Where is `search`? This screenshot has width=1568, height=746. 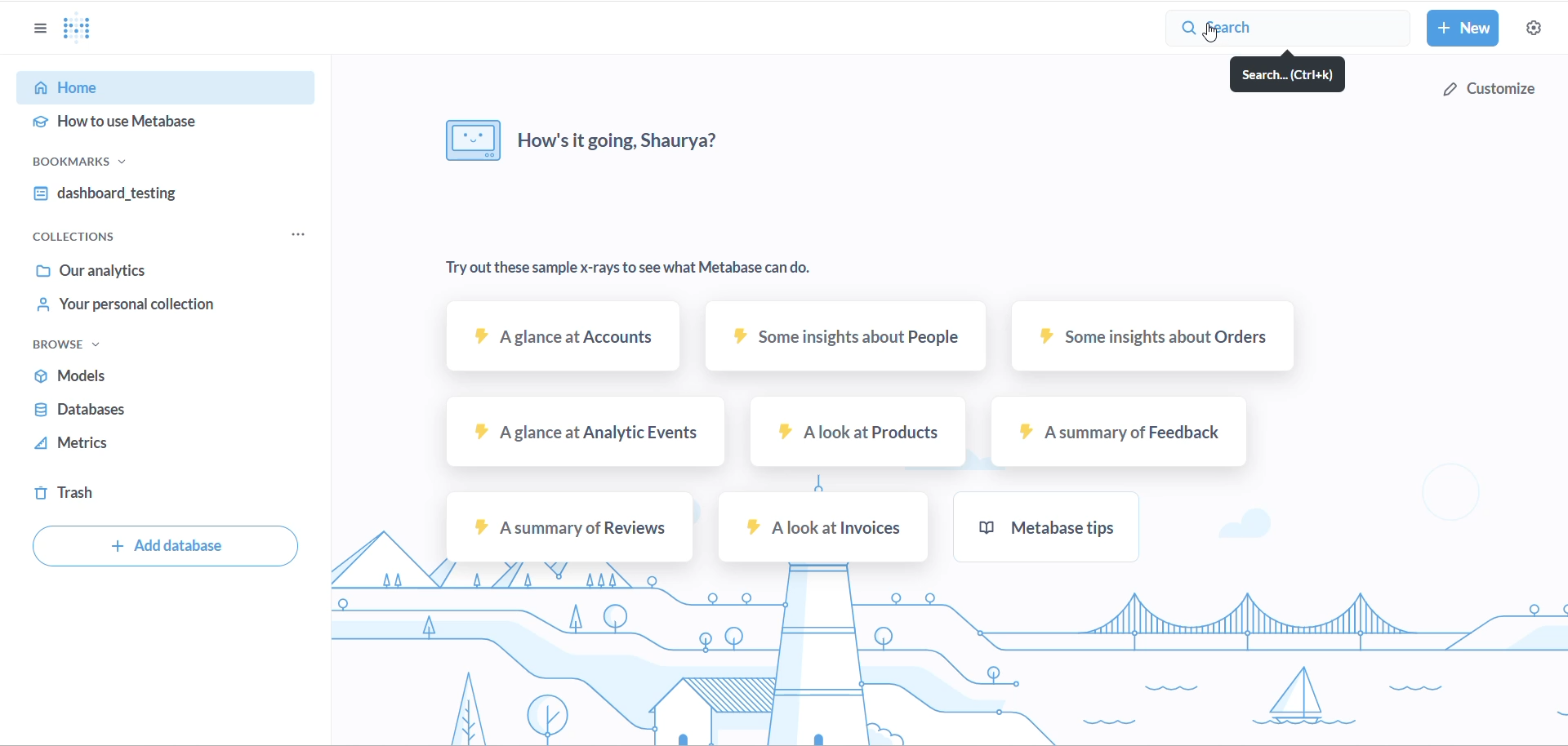
search is located at coordinates (1287, 76).